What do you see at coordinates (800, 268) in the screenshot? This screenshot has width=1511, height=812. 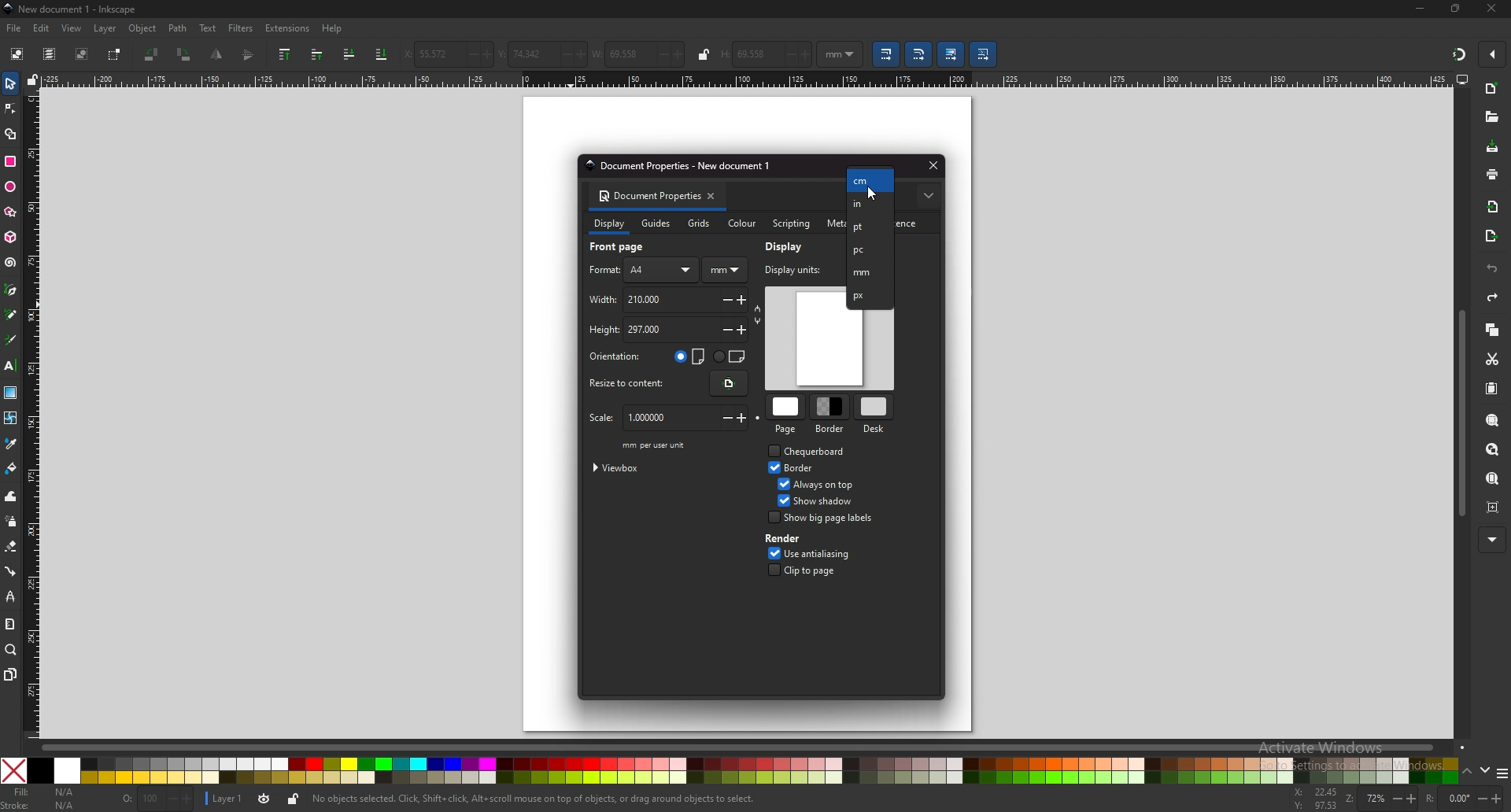 I see `display units` at bounding box center [800, 268].